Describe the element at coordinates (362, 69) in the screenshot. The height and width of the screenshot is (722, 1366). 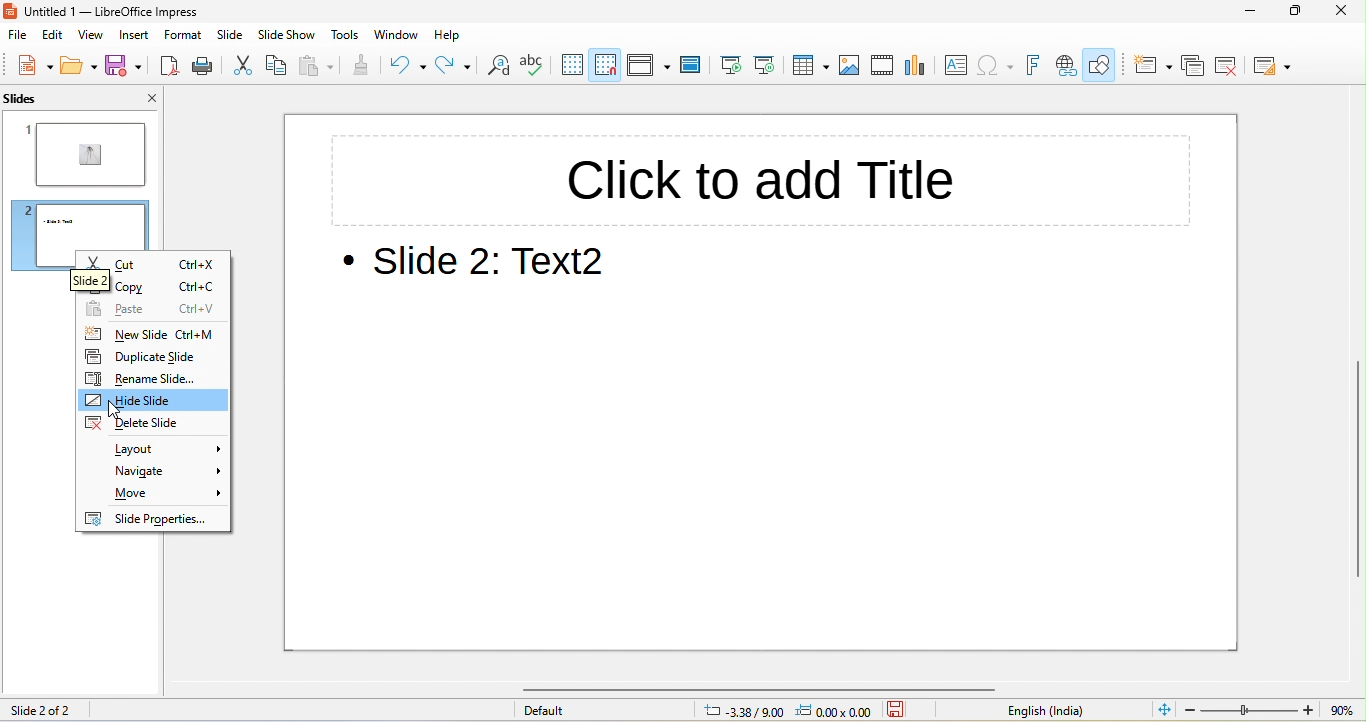
I see `clone formatting` at that location.